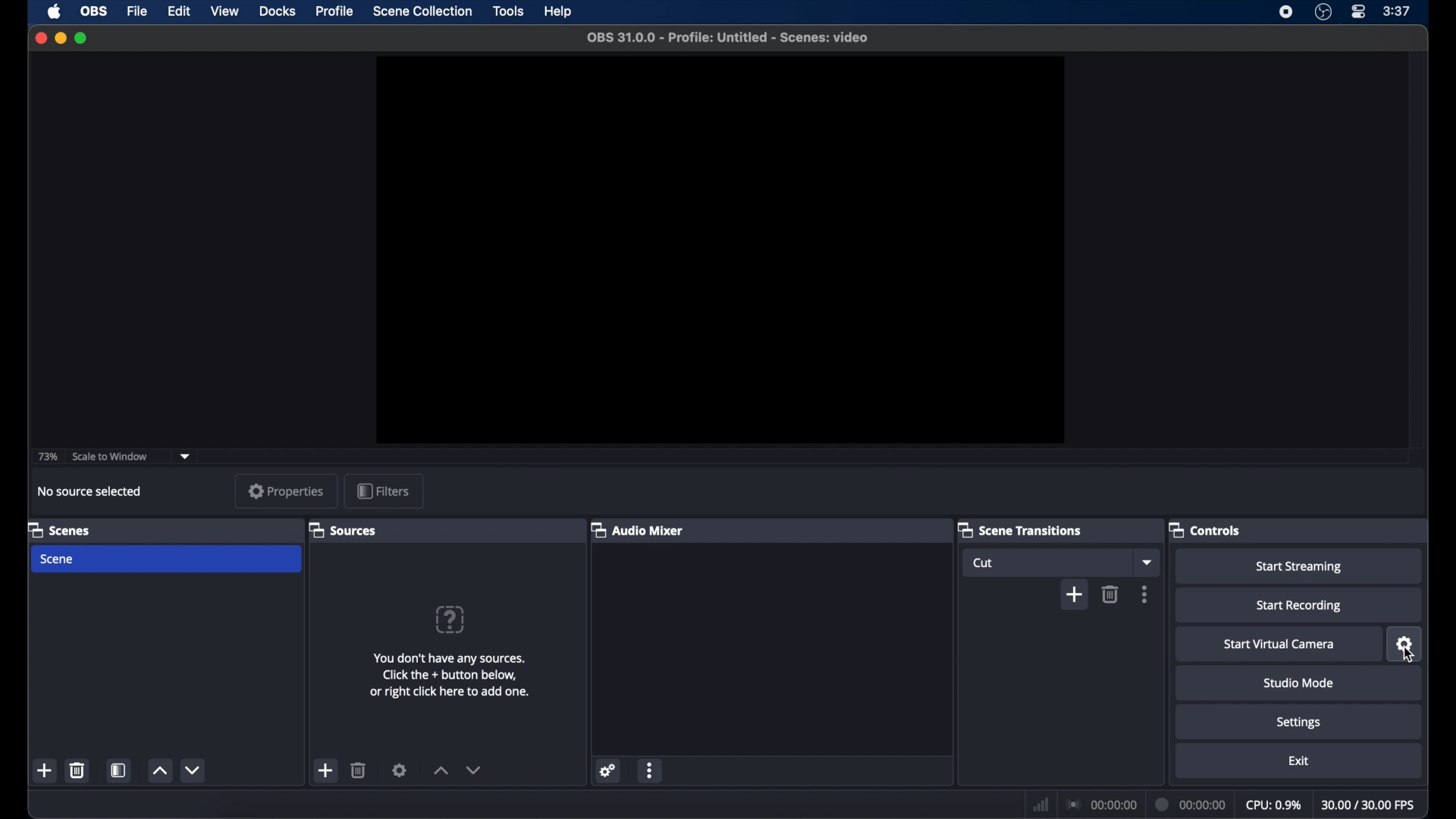 The height and width of the screenshot is (819, 1456). I want to click on controls, so click(1205, 529).